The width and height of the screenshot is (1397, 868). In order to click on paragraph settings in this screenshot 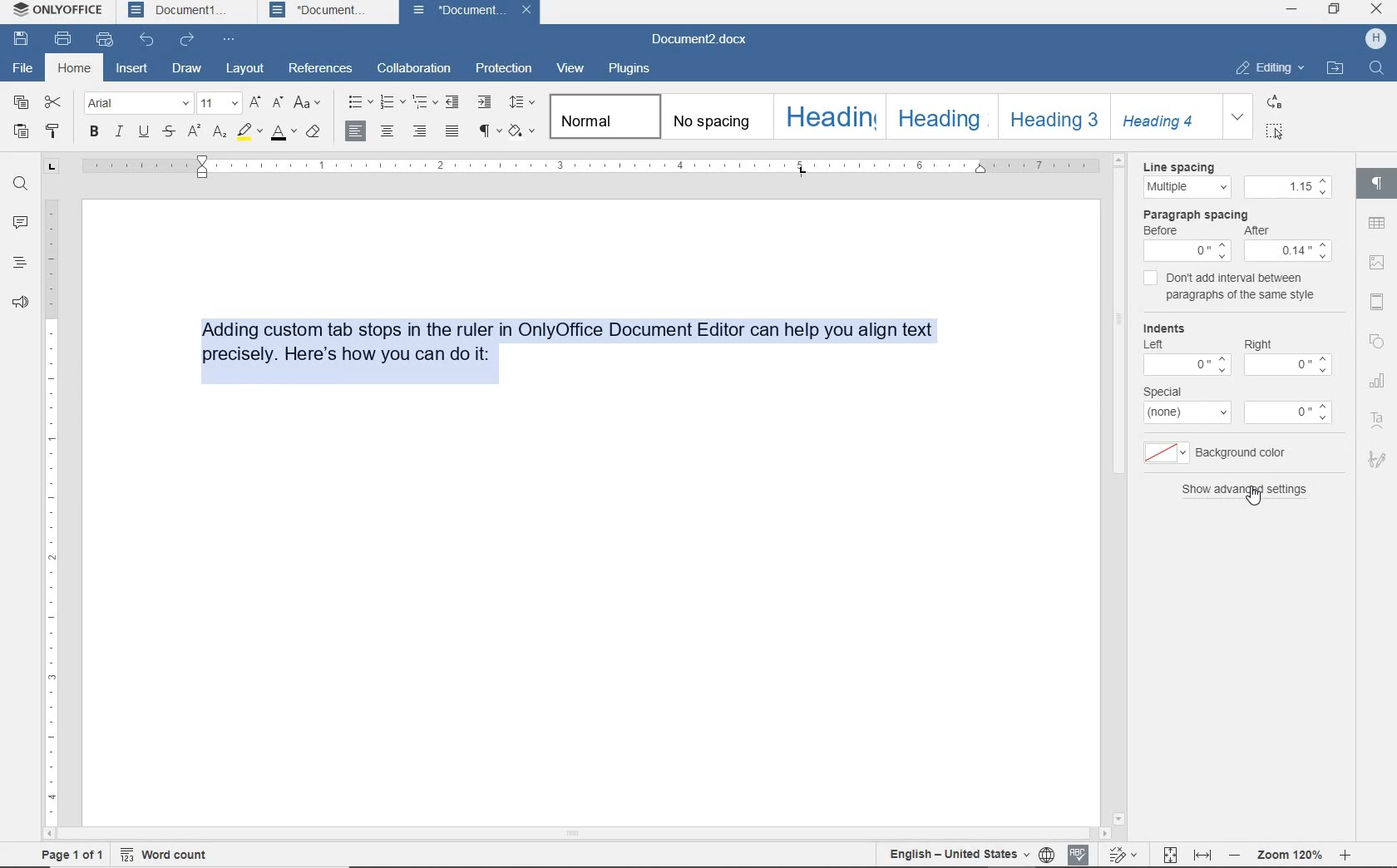, I will do `click(1380, 183)`.